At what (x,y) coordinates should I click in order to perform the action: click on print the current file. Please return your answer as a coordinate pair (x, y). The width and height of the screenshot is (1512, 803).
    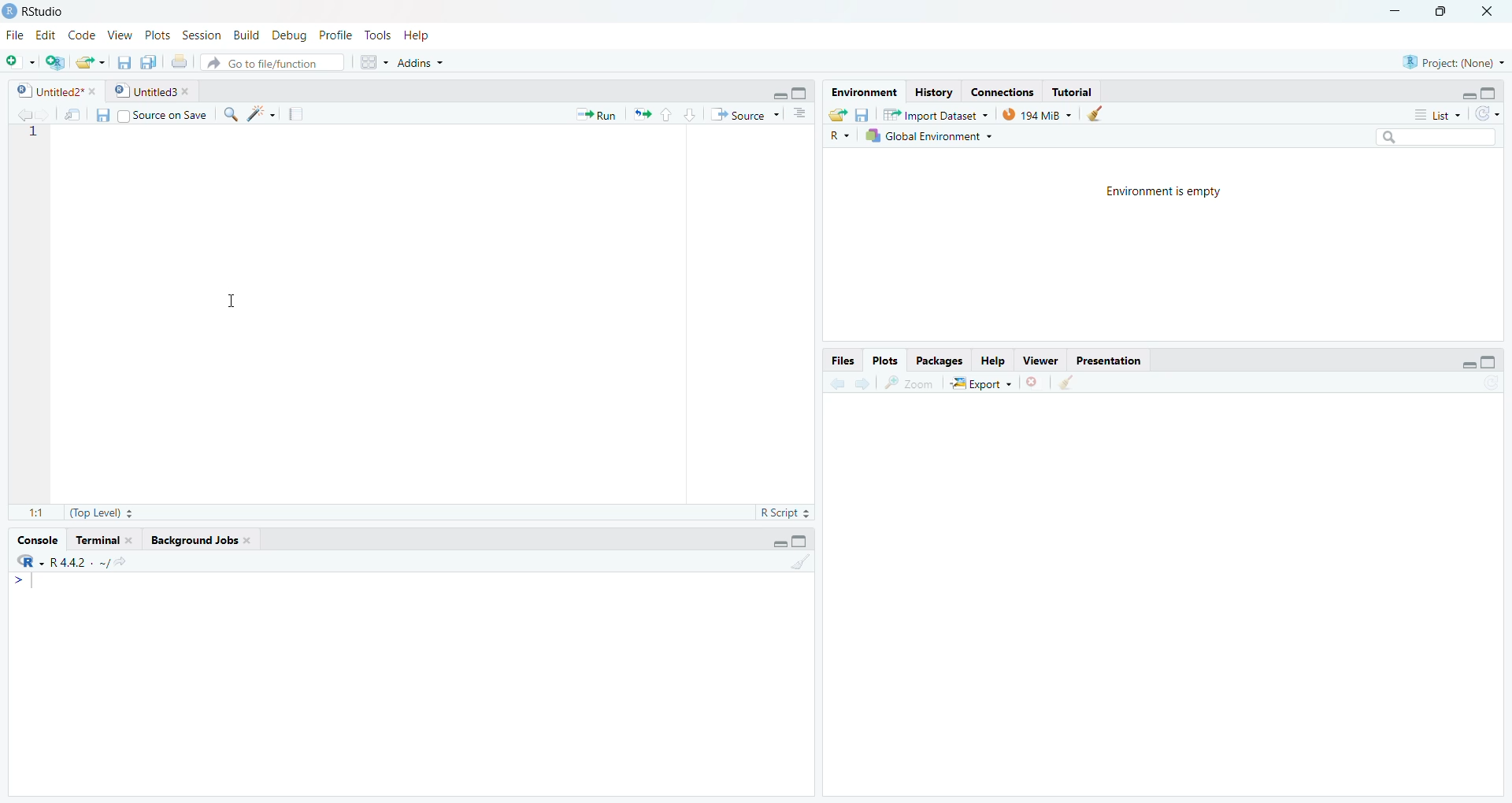
    Looking at the image, I should click on (182, 62).